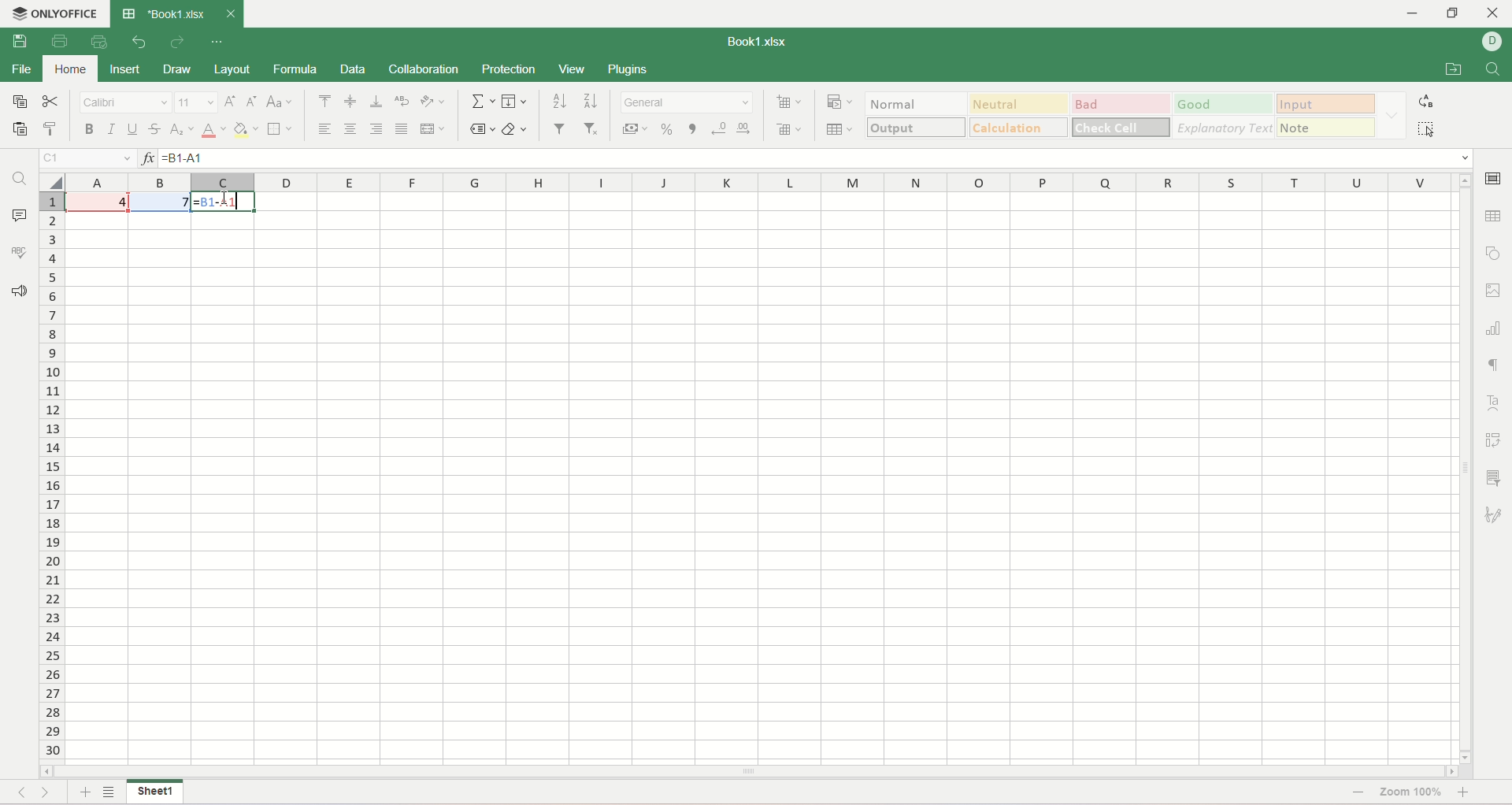 The width and height of the screenshot is (1512, 805). I want to click on zoom in, so click(1466, 795).